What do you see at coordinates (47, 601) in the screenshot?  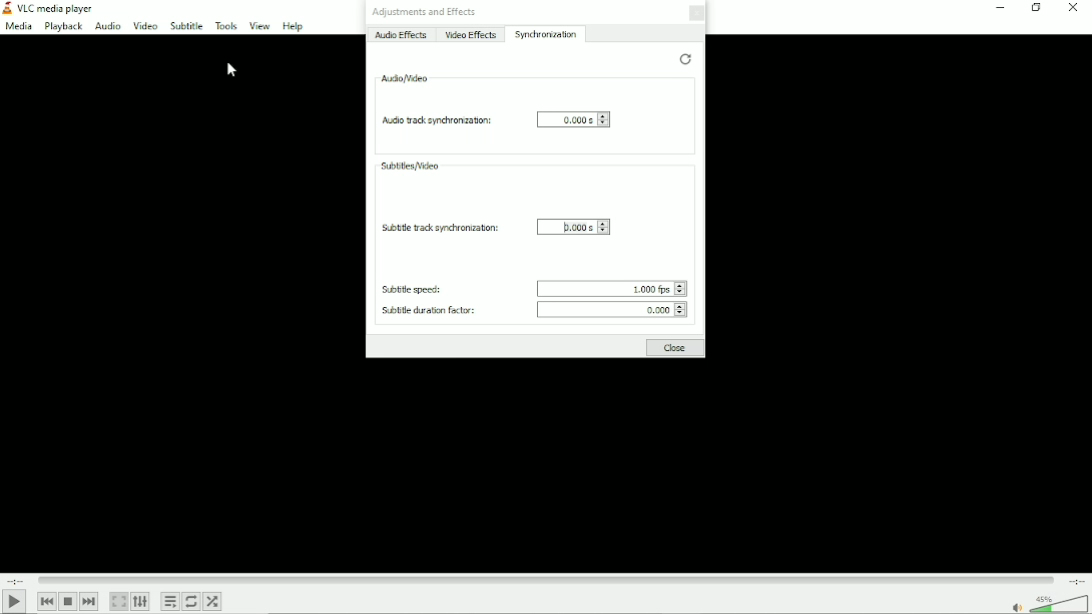 I see `previous` at bounding box center [47, 601].